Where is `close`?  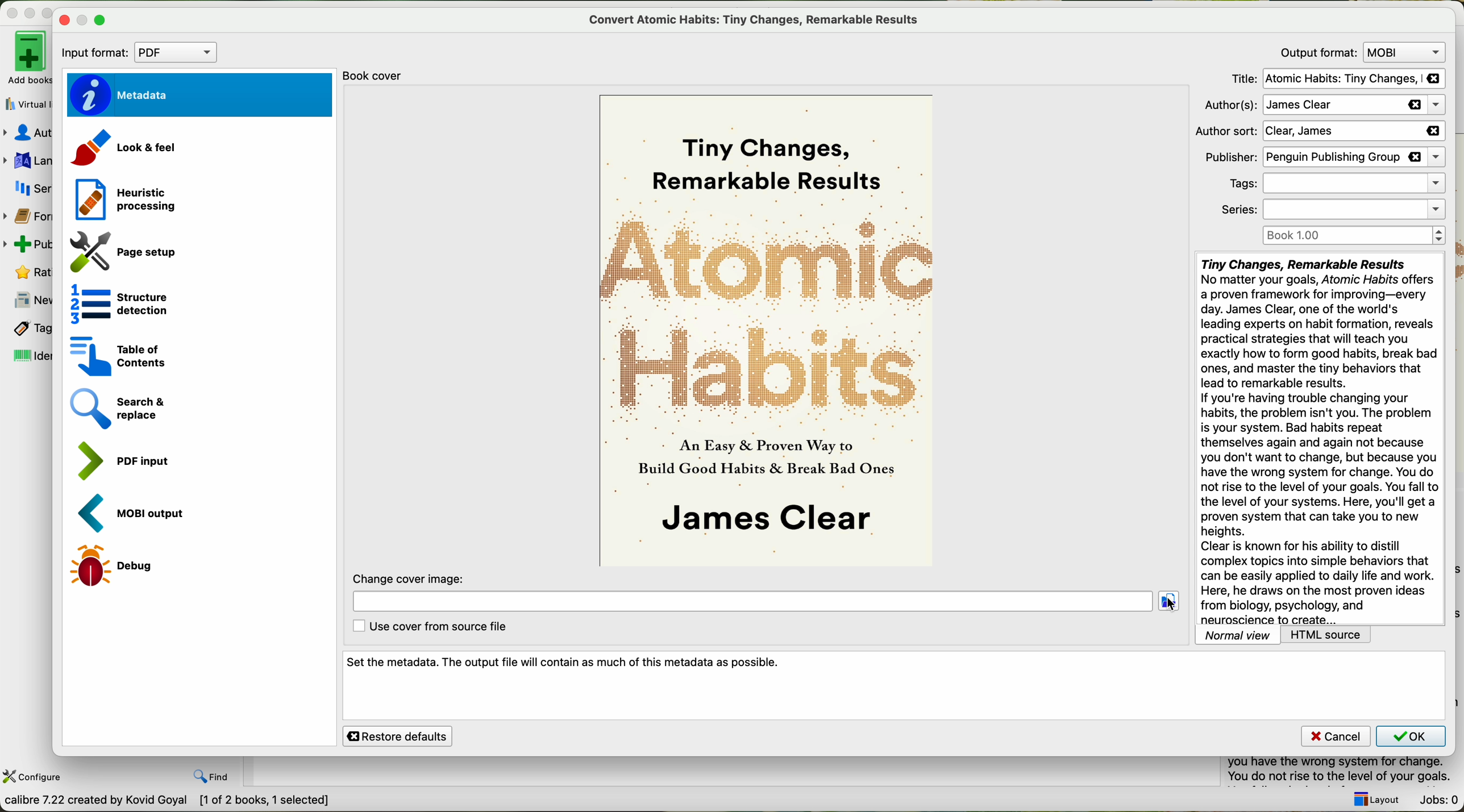
close is located at coordinates (65, 21).